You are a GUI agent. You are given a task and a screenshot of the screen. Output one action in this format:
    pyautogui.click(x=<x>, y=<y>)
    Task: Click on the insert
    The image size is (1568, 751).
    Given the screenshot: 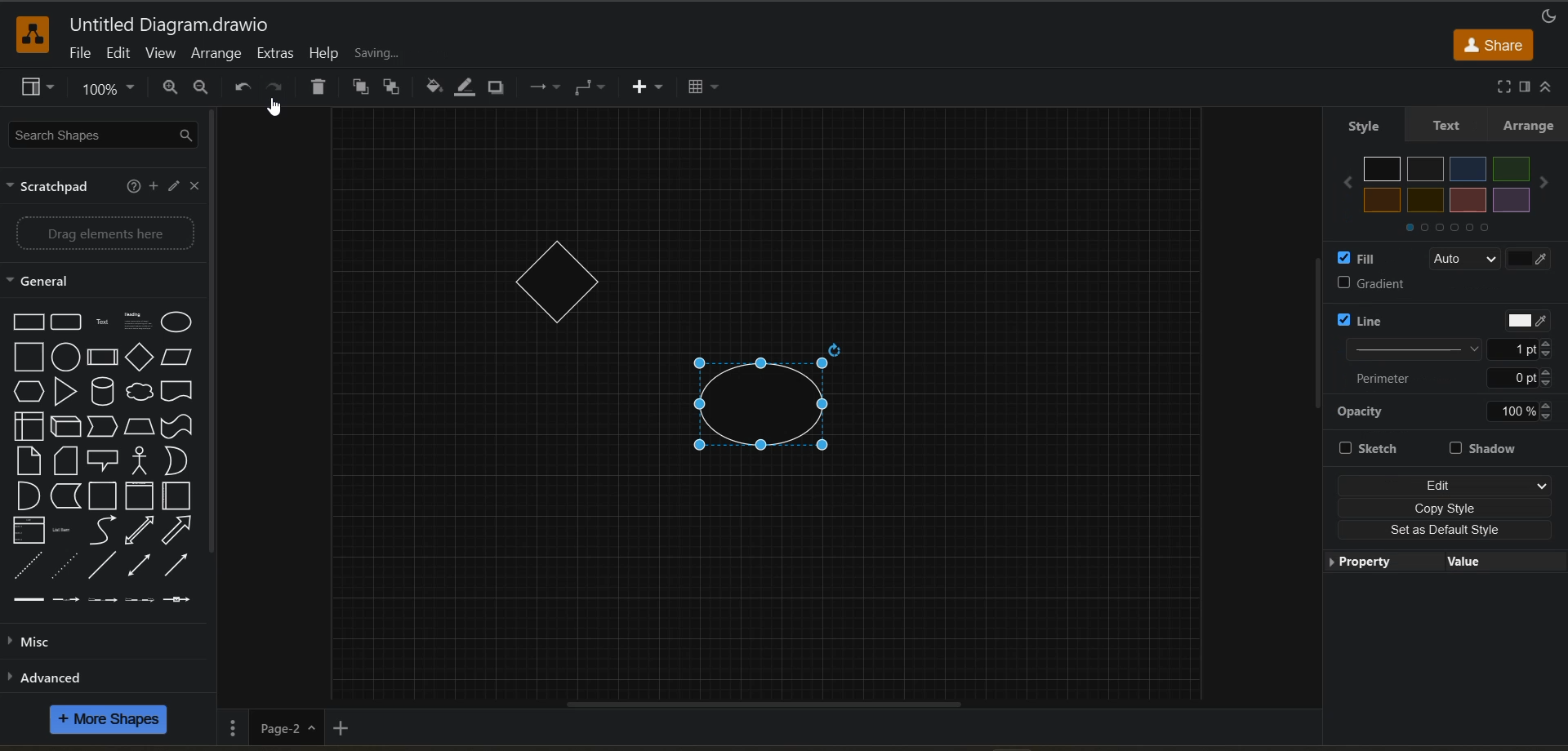 What is the action you would take?
    pyautogui.click(x=652, y=88)
    